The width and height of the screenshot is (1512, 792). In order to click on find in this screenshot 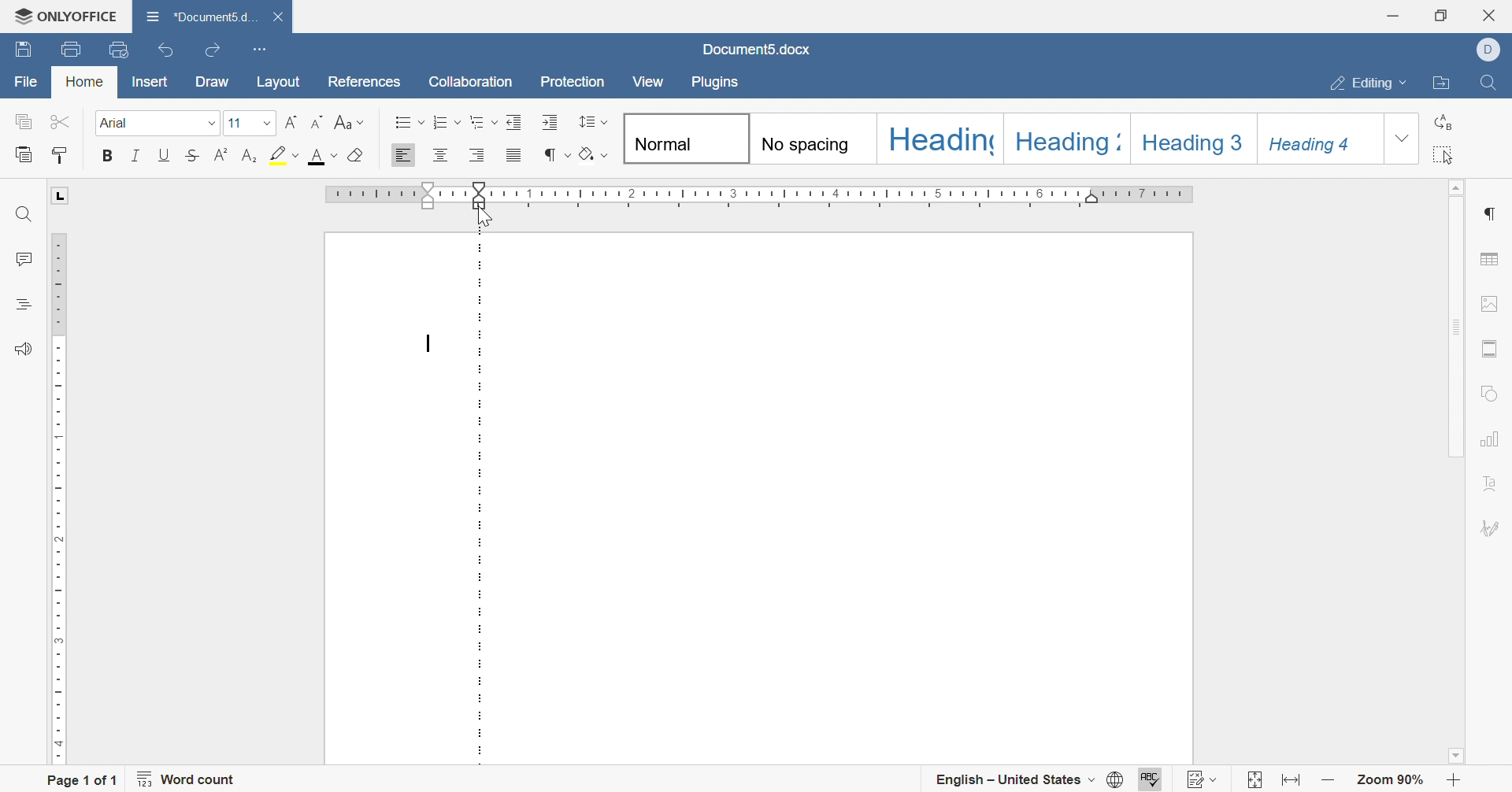, I will do `click(24, 213)`.